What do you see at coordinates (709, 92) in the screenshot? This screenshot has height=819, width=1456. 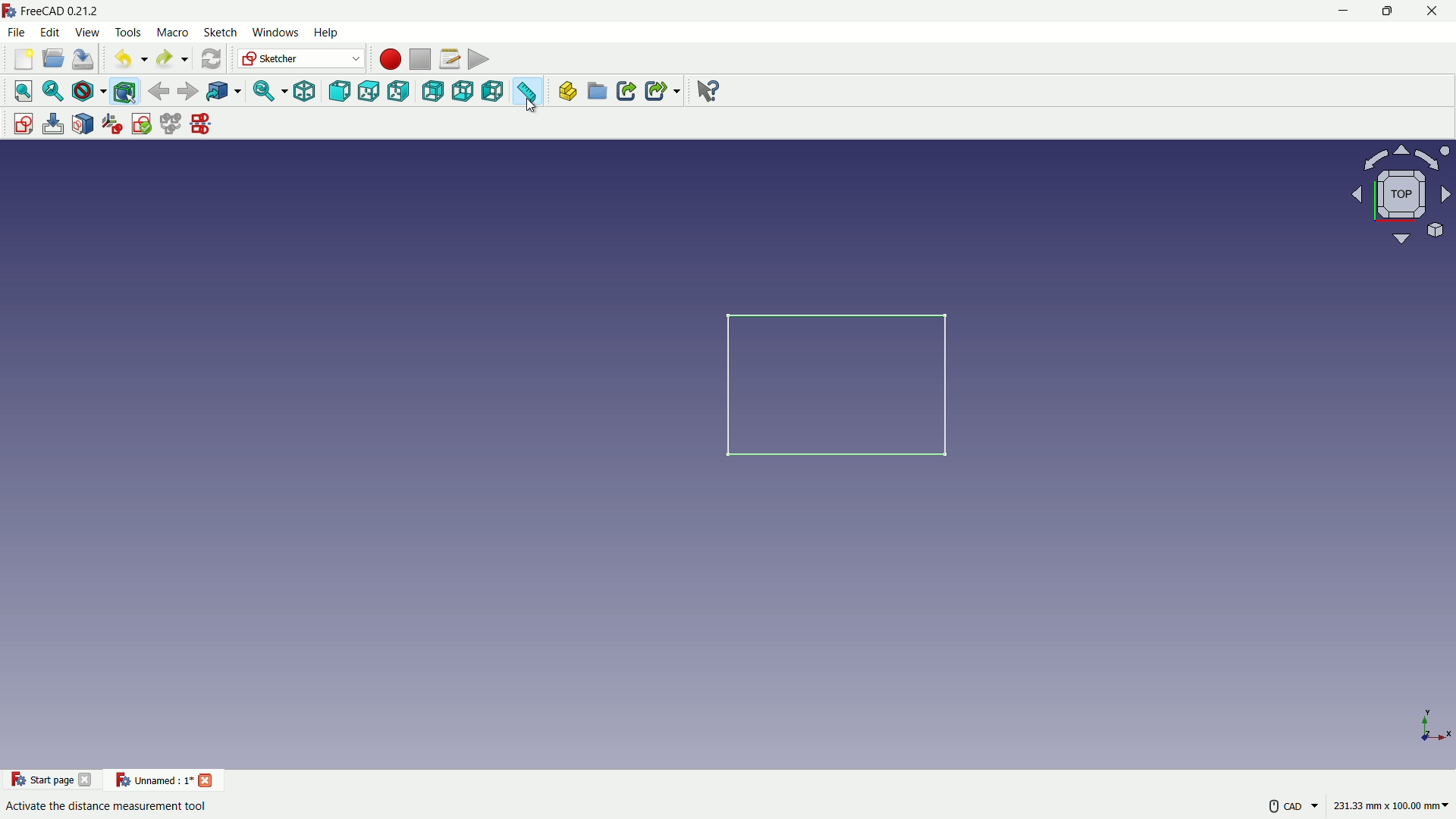 I see `help extension` at bounding box center [709, 92].